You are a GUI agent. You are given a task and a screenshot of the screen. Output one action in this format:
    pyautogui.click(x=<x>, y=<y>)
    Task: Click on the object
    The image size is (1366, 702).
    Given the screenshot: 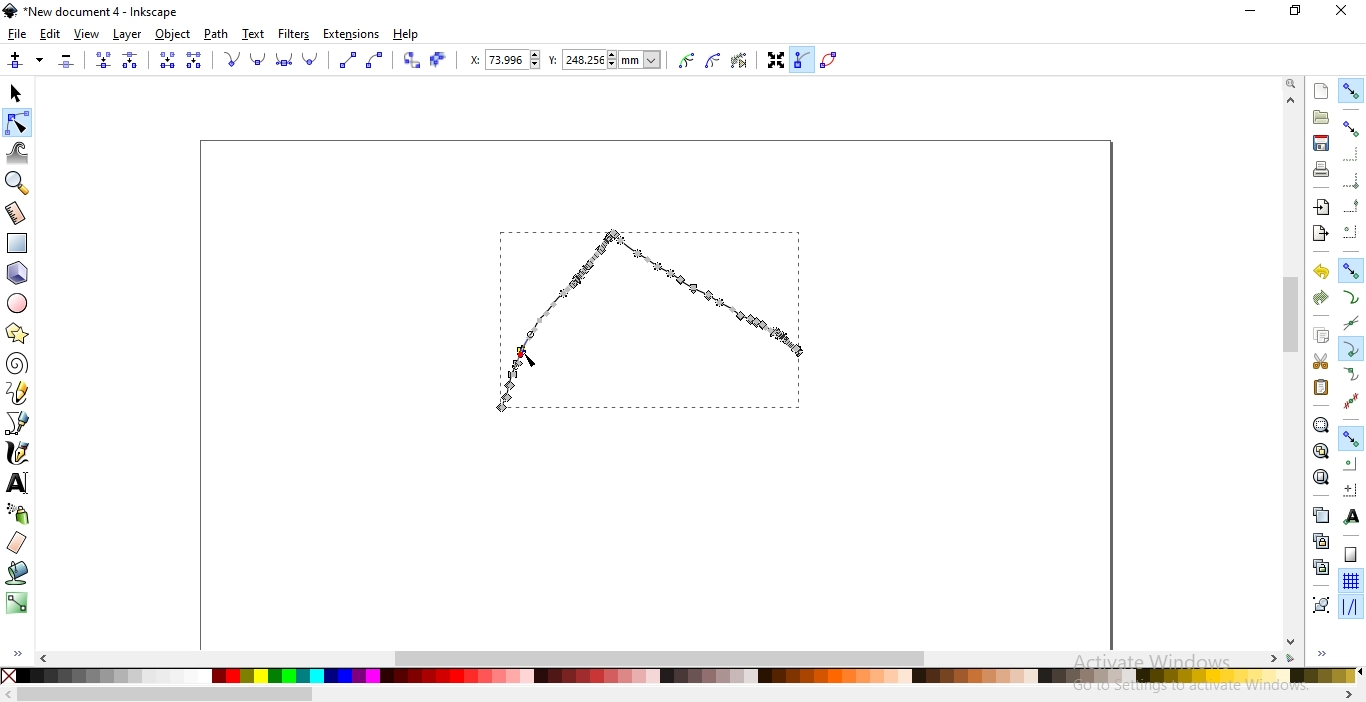 What is the action you would take?
    pyautogui.click(x=173, y=34)
    